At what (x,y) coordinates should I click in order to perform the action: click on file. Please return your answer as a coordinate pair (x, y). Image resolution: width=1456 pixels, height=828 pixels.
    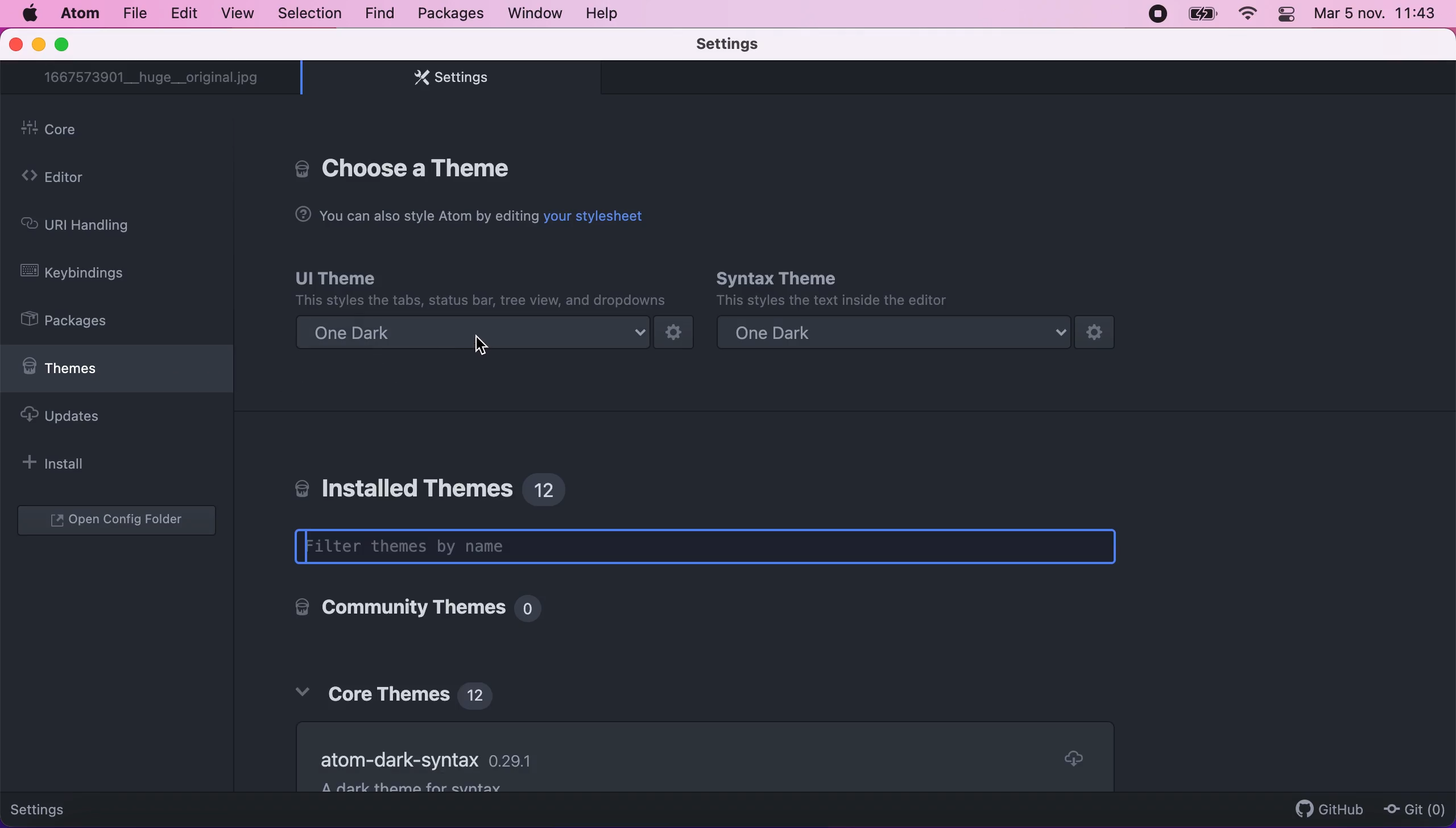
    Looking at the image, I should click on (134, 15).